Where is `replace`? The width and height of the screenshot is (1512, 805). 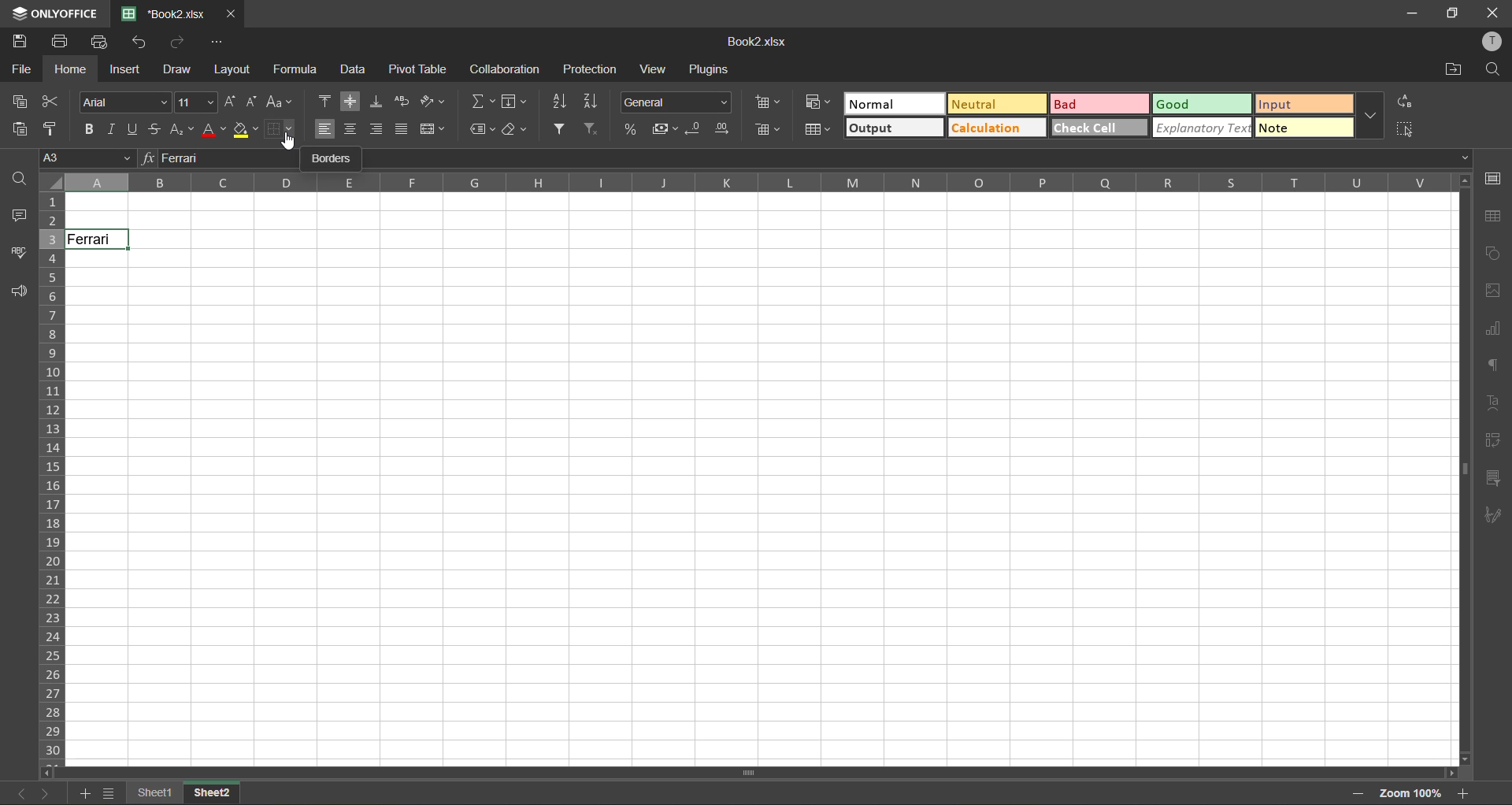 replace is located at coordinates (1405, 103).